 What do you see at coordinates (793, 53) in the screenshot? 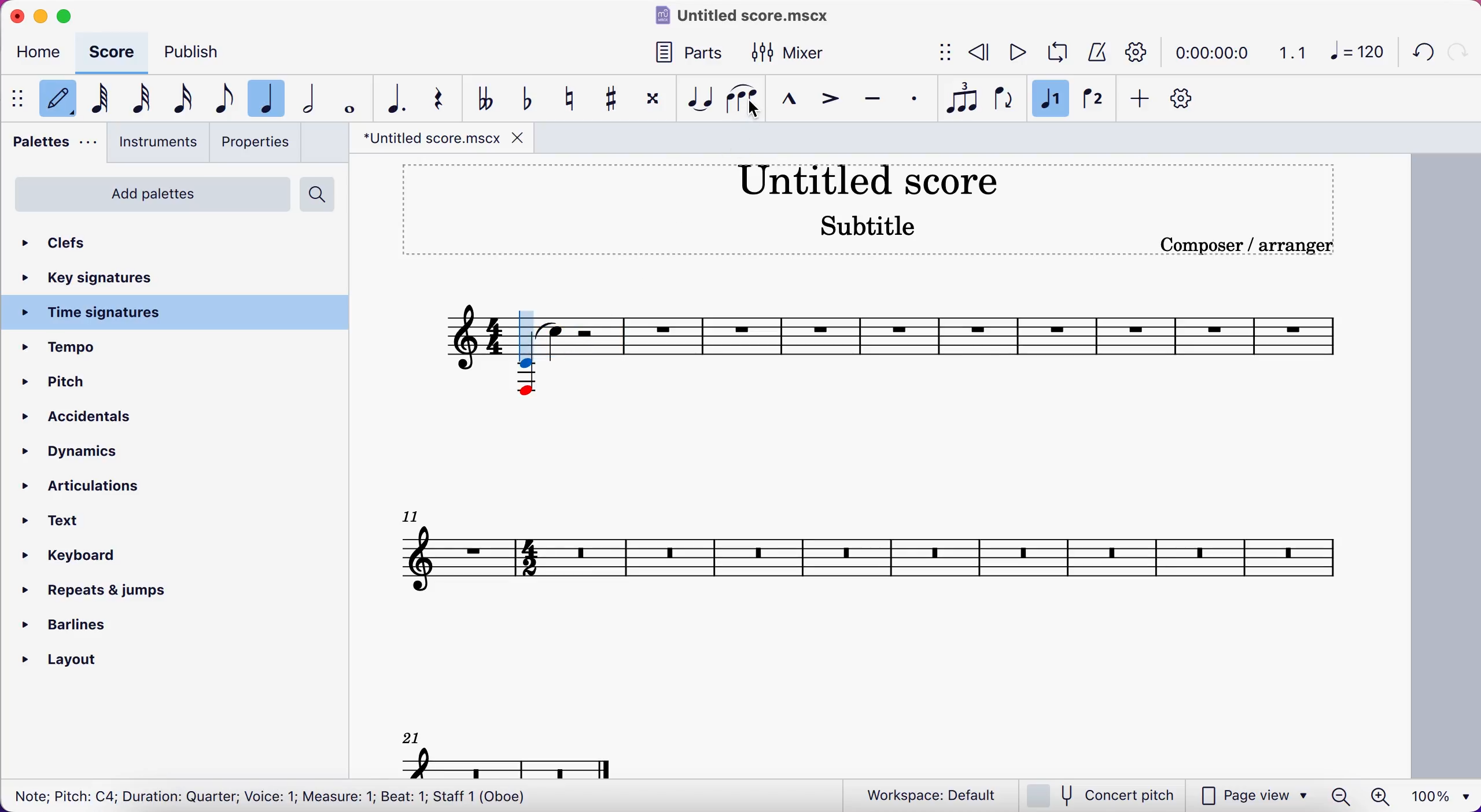
I see `mixer` at bounding box center [793, 53].